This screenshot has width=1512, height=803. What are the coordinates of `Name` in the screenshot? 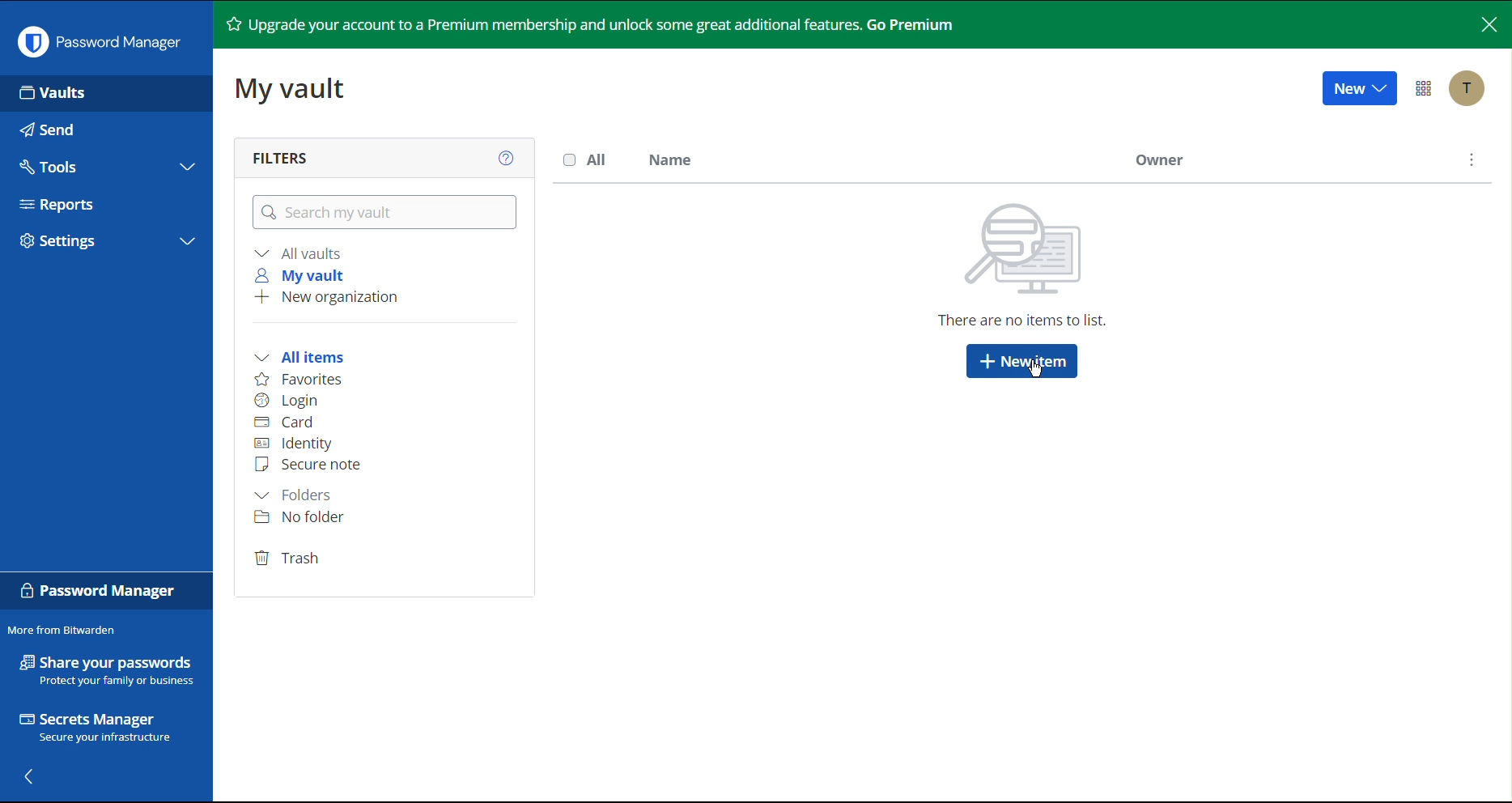 It's located at (671, 161).